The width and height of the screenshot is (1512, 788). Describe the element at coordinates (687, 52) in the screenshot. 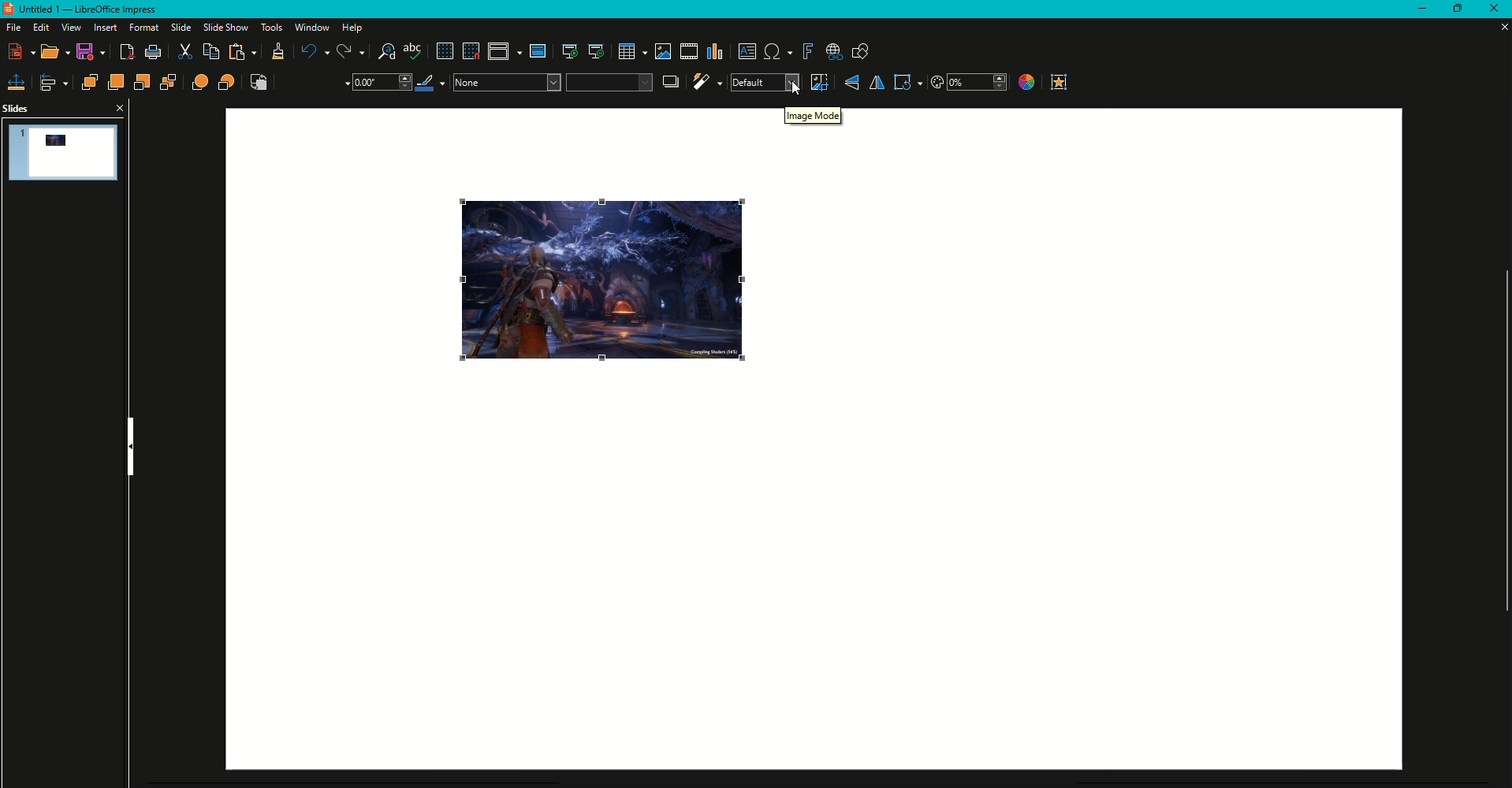

I see `Insert Audio Video` at that location.